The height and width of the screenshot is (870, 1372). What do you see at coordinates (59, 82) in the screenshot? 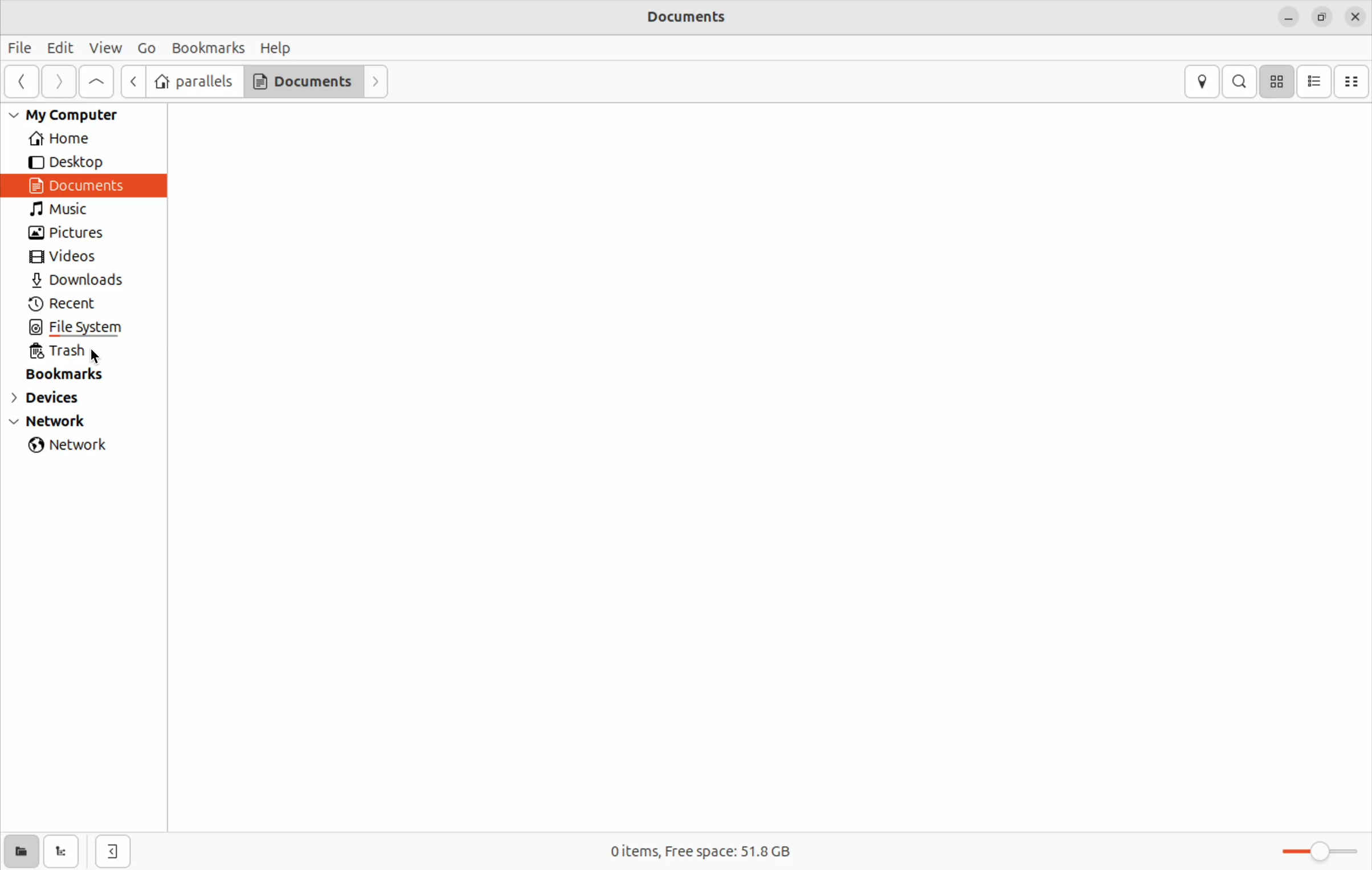
I see `next` at bounding box center [59, 82].